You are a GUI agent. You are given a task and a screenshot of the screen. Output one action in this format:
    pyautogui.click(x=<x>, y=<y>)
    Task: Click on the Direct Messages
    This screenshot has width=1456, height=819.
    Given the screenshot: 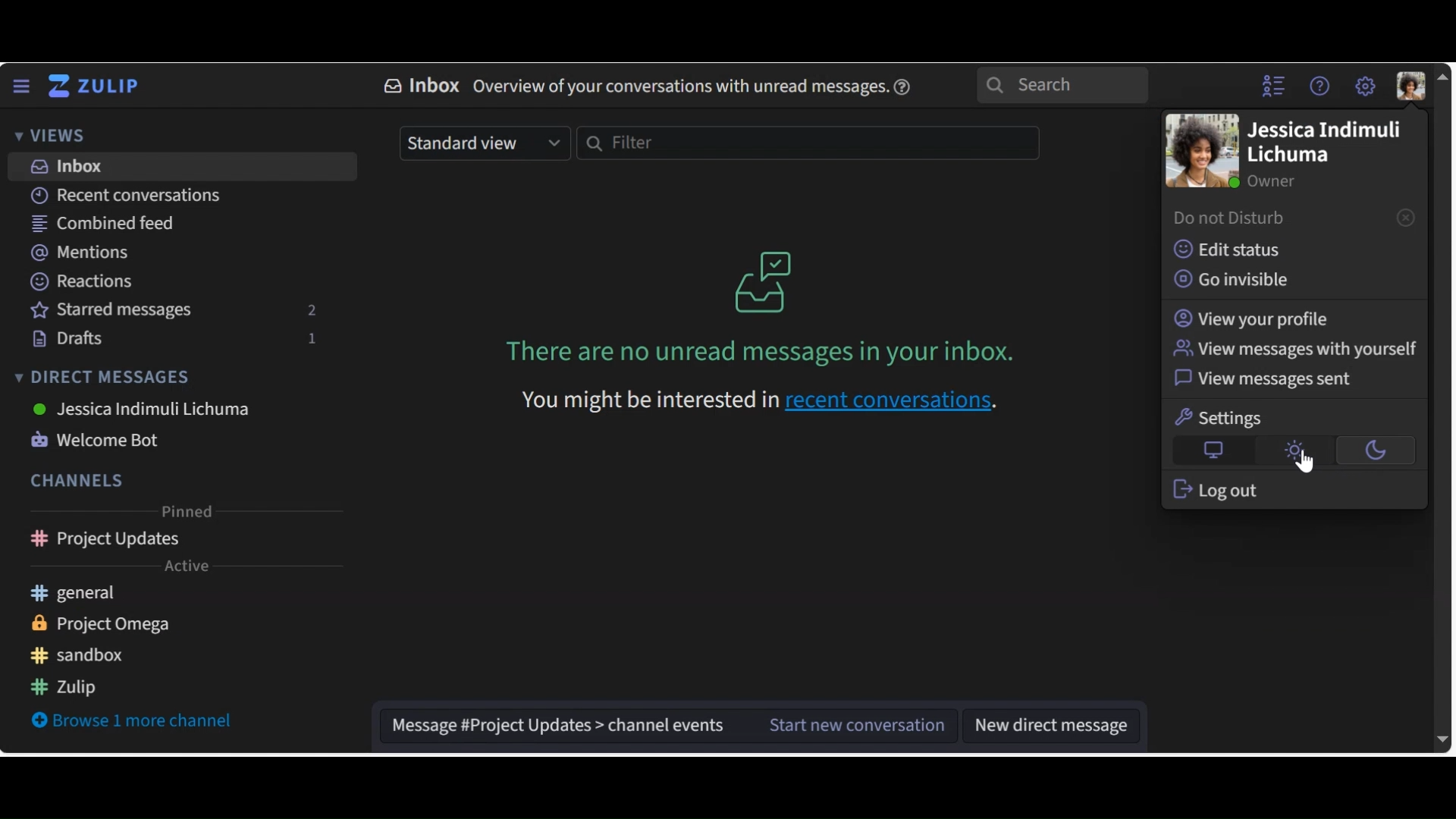 What is the action you would take?
    pyautogui.click(x=108, y=377)
    